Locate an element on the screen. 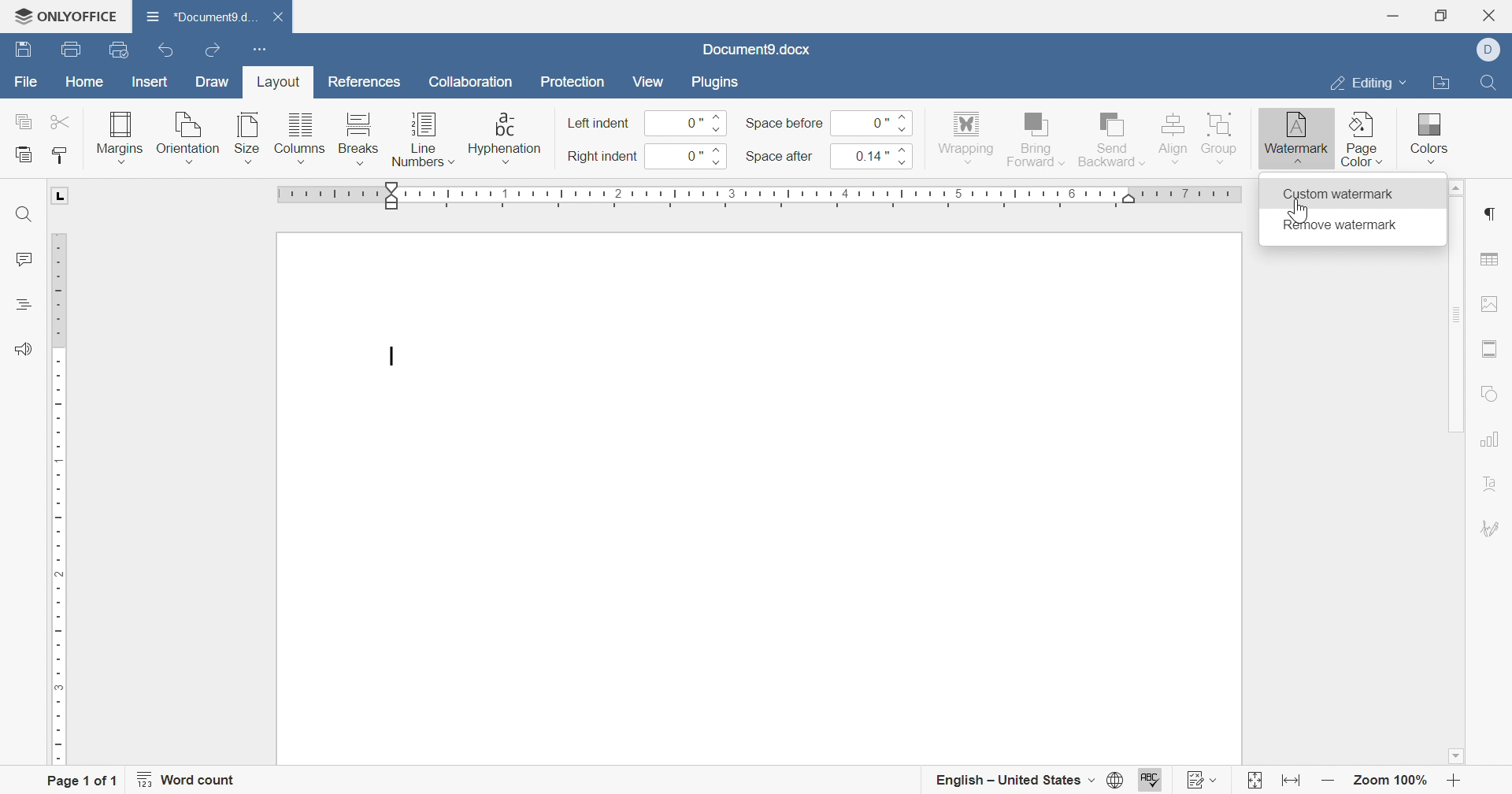 The height and width of the screenshot is (794, 1512). editing is located at coordinates (1365, 86).